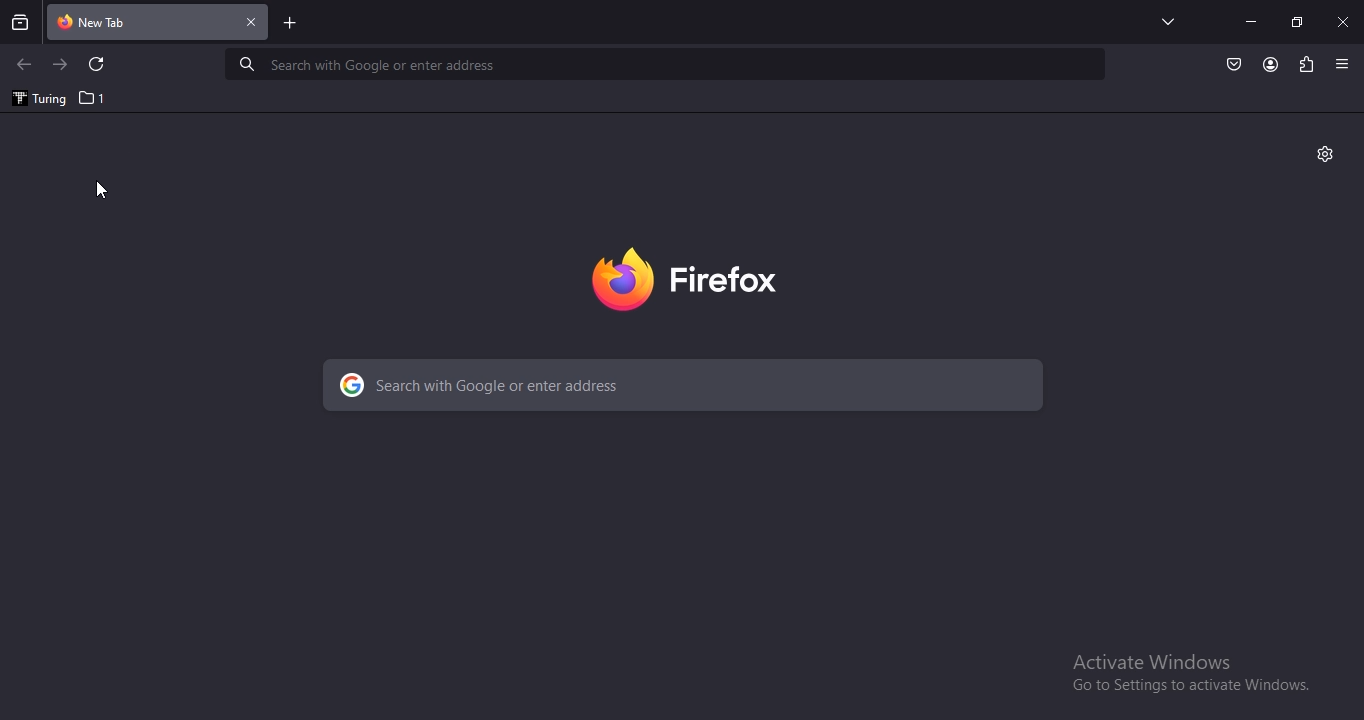 The image size is (1364, 720). What do you see at coordinates (1345, 21) in the screenshot?
I see `close` at bounding box center [1345, 21].